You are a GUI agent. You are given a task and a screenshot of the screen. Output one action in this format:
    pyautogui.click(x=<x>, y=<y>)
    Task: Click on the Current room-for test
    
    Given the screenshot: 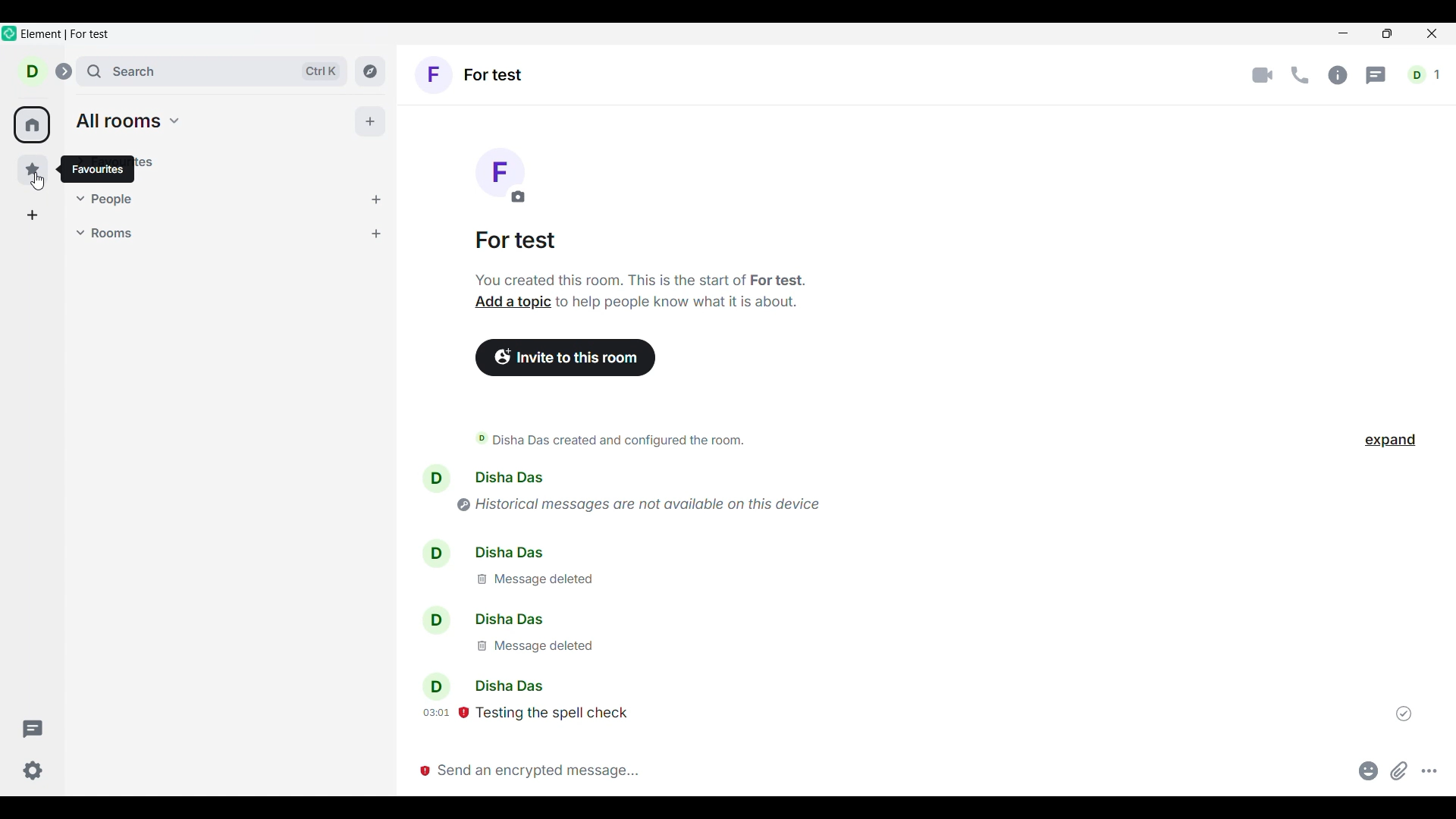 What is the action you would take?
    pyautogui.click(x=490, y=74)
    